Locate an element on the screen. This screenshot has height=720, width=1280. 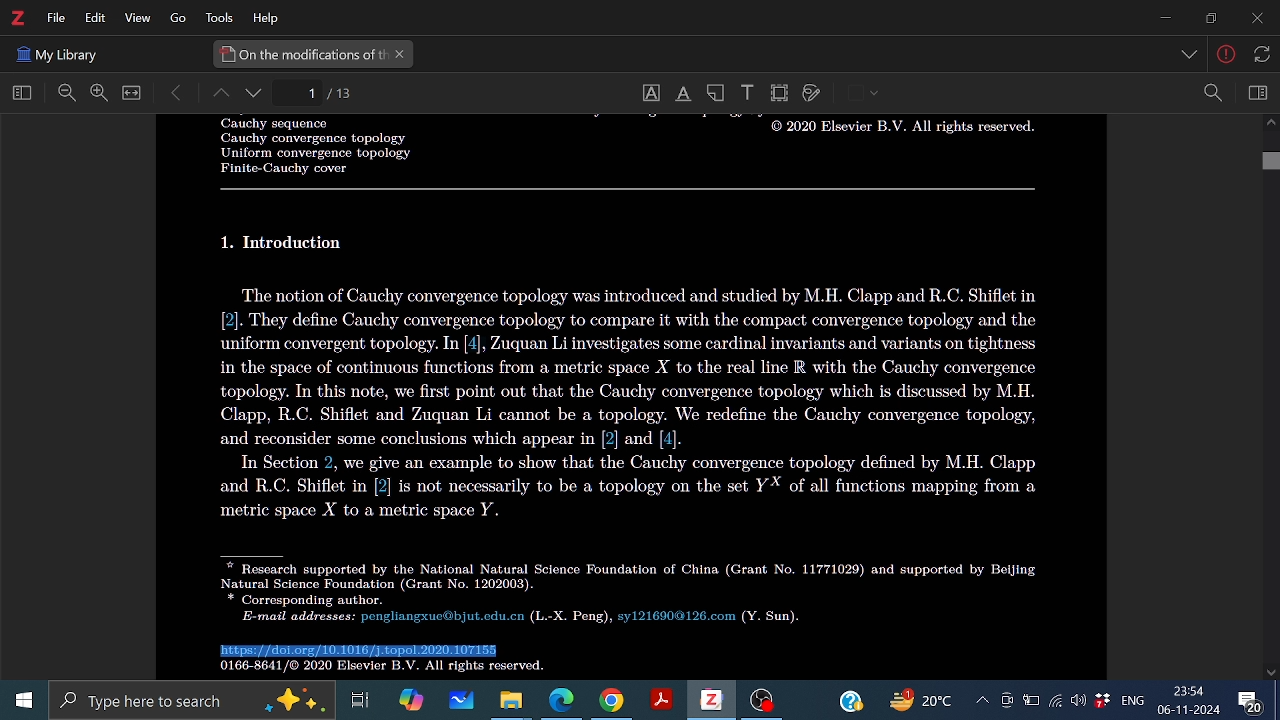
Tools is located at coordinates (216, 18).